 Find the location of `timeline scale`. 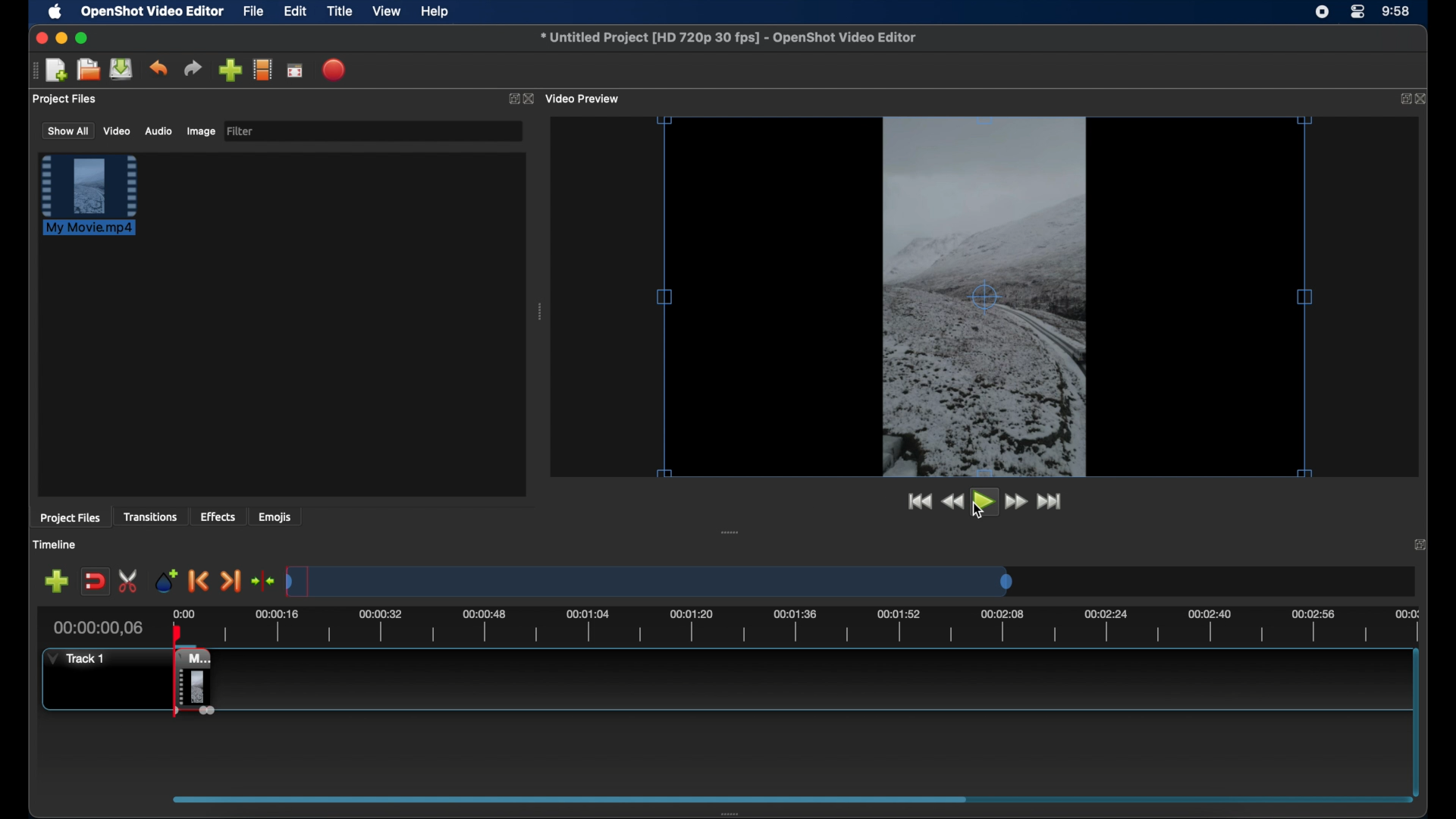

timeline scale is located at coordinates (654, 581).